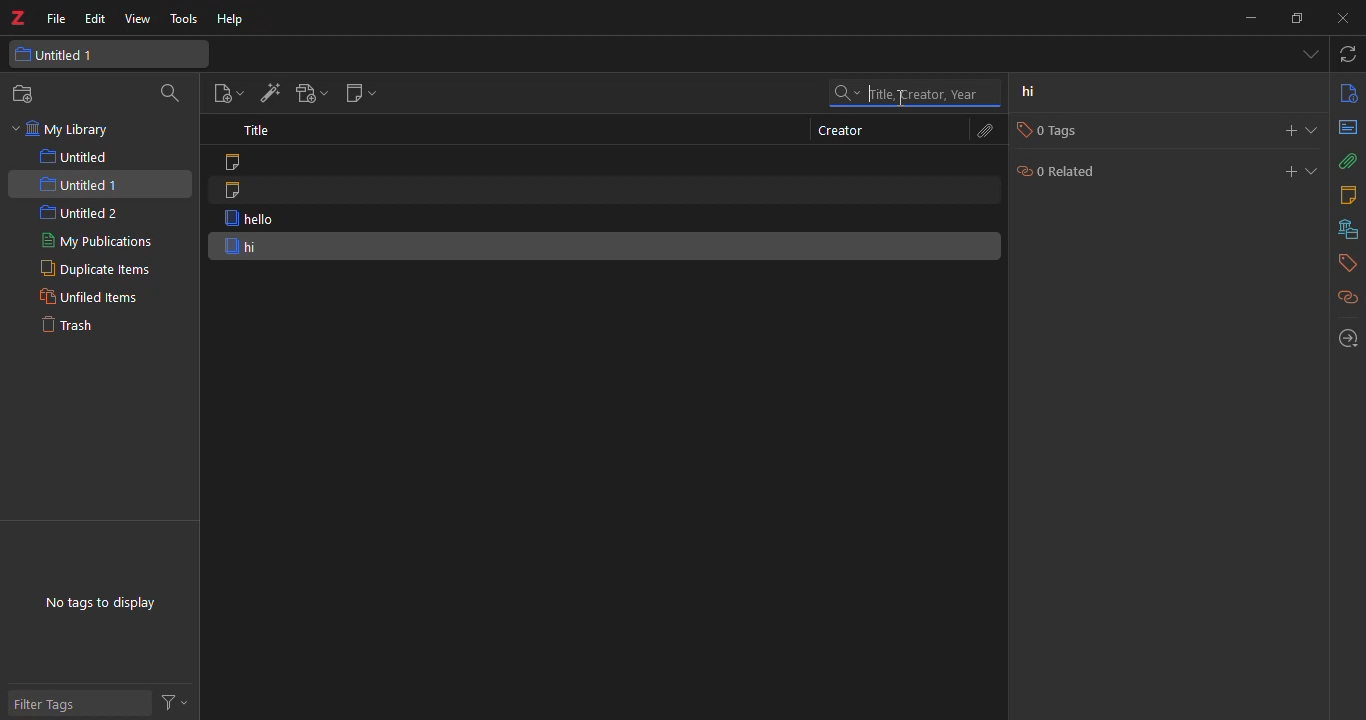 This screenshot has height=720, width=1366. Describe the element at coordinates (86, 297) in the screenshot. I see `unfiled items` at that location.